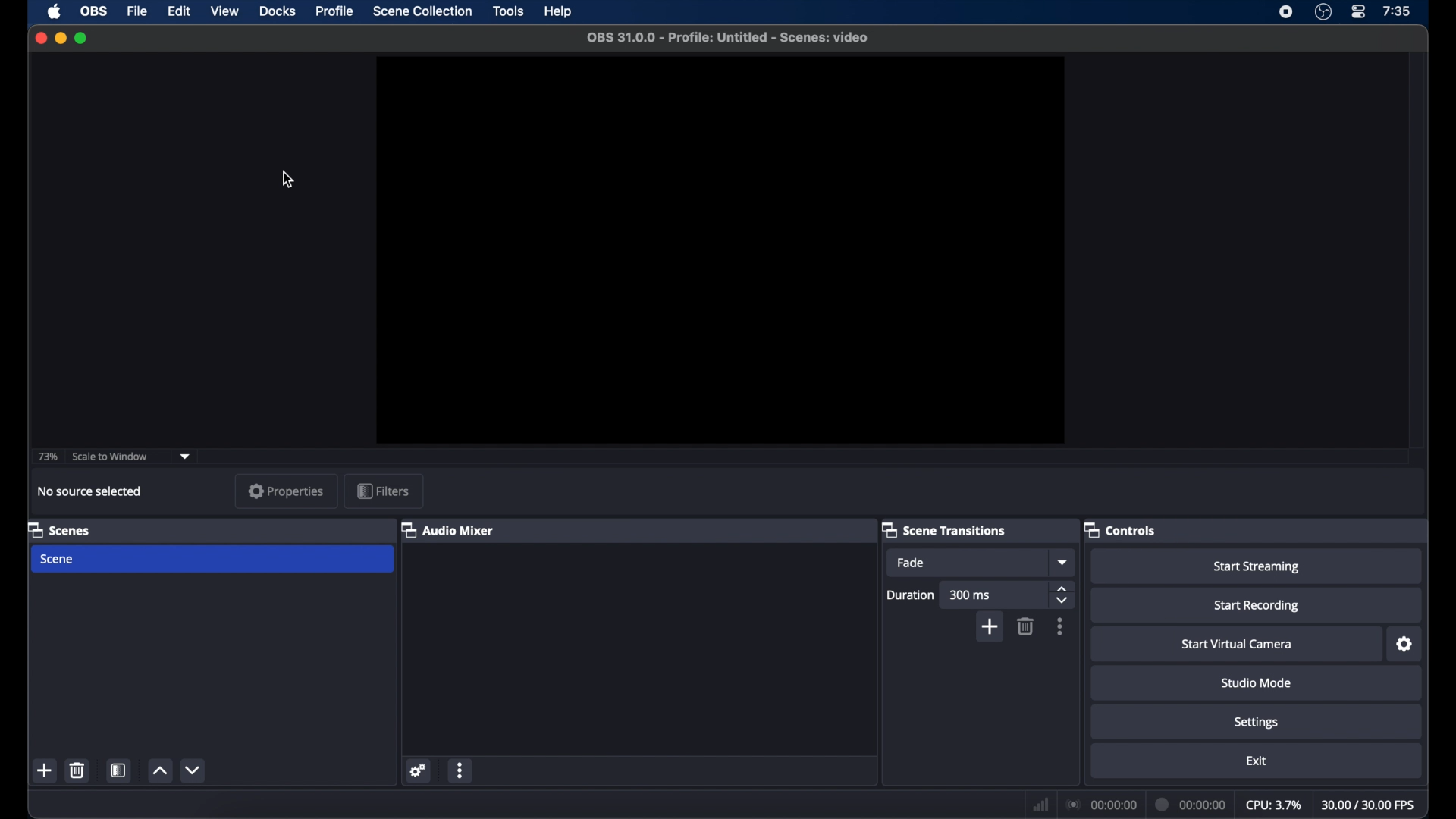 The image size is (1456, 819). I want to click on view, so click(224, 11).